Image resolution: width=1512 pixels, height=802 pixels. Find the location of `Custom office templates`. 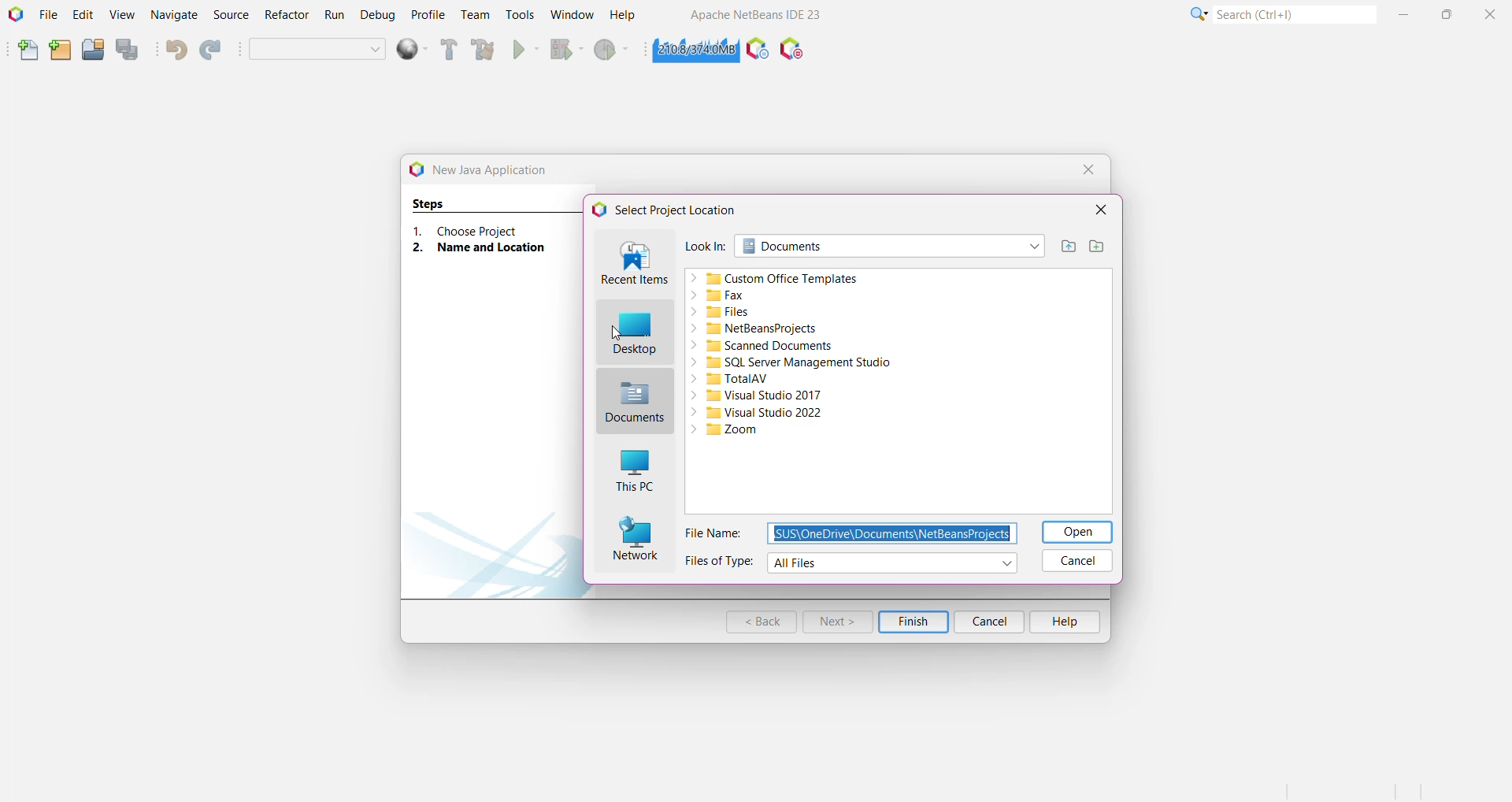

Custom office templates is located at coordinates (897, 278).